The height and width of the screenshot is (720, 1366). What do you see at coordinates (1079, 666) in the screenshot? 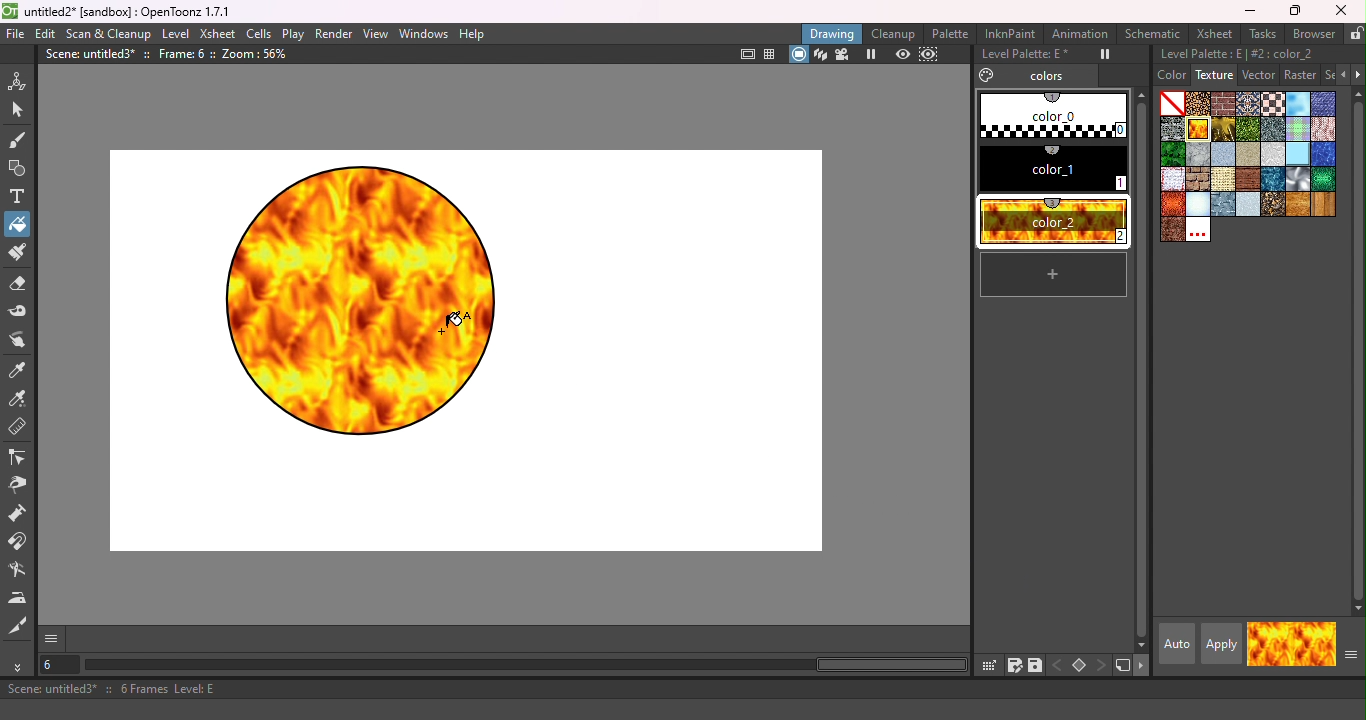
I see `Set key` at bounding box center [1079, 666].